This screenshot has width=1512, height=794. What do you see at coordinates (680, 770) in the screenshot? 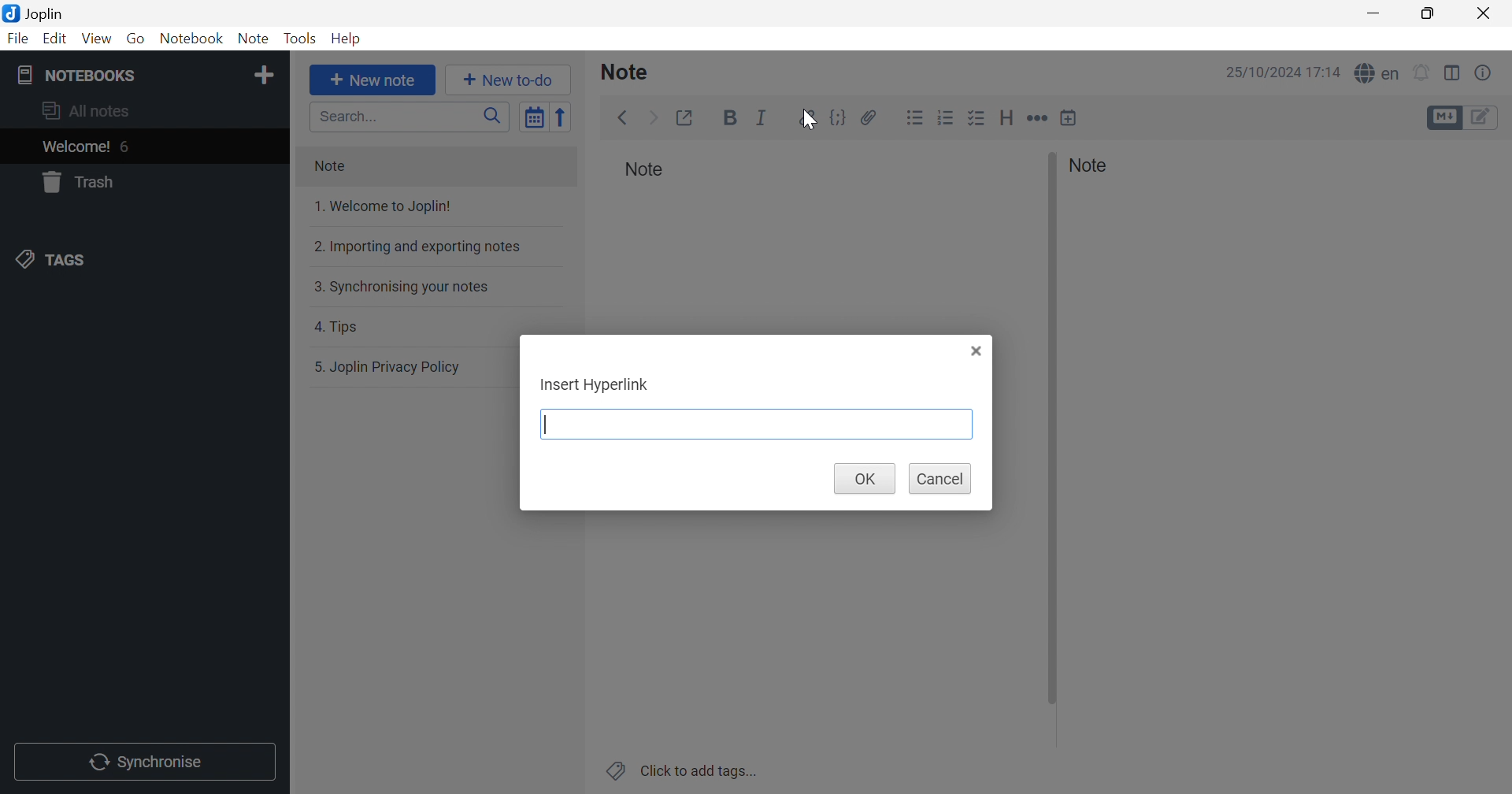
I see `Click to add tags...` at bounding box center [680, 770].